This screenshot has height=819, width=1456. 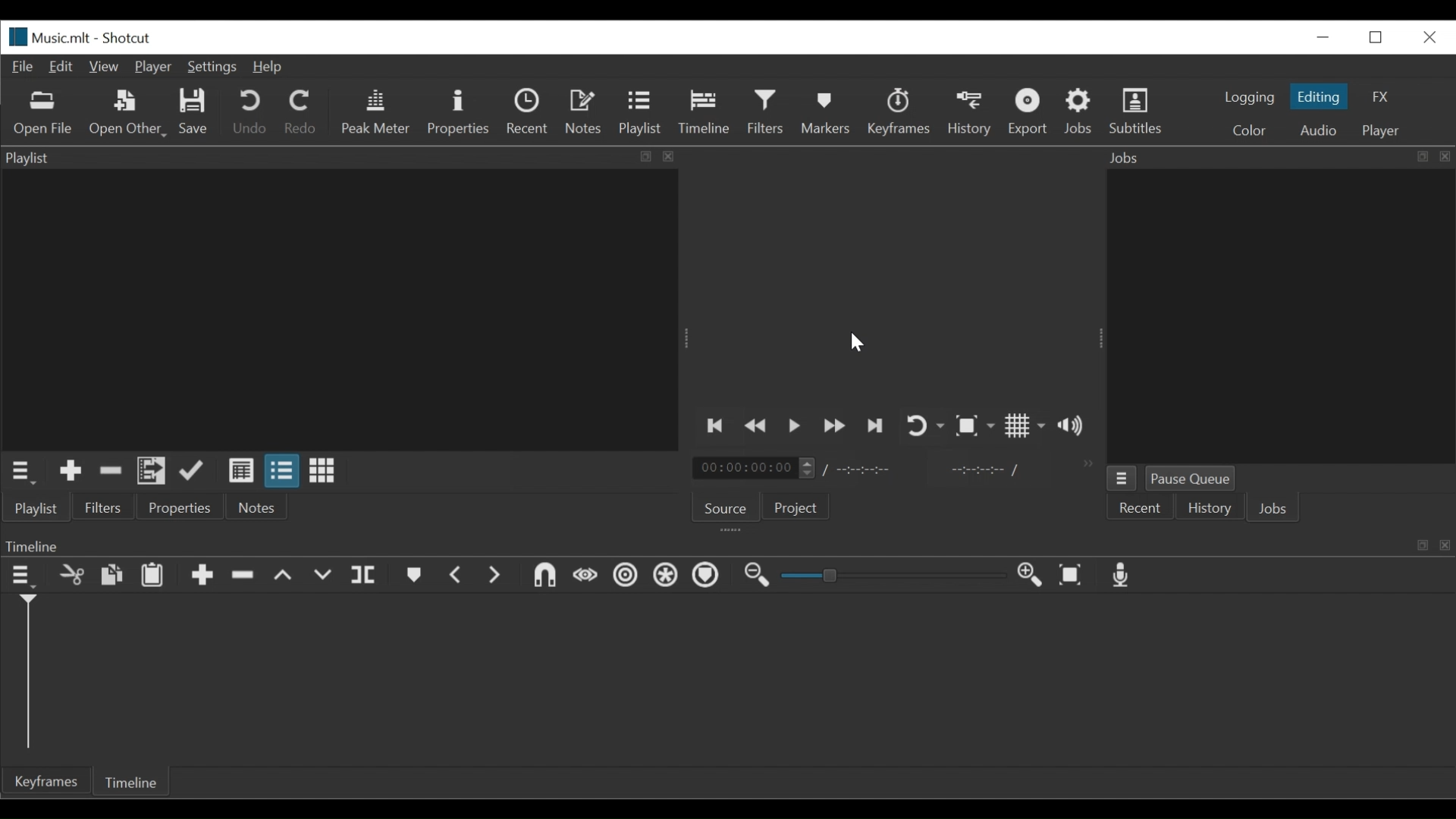 I want to click on Toggle player looping, so click(x=926, y=425).